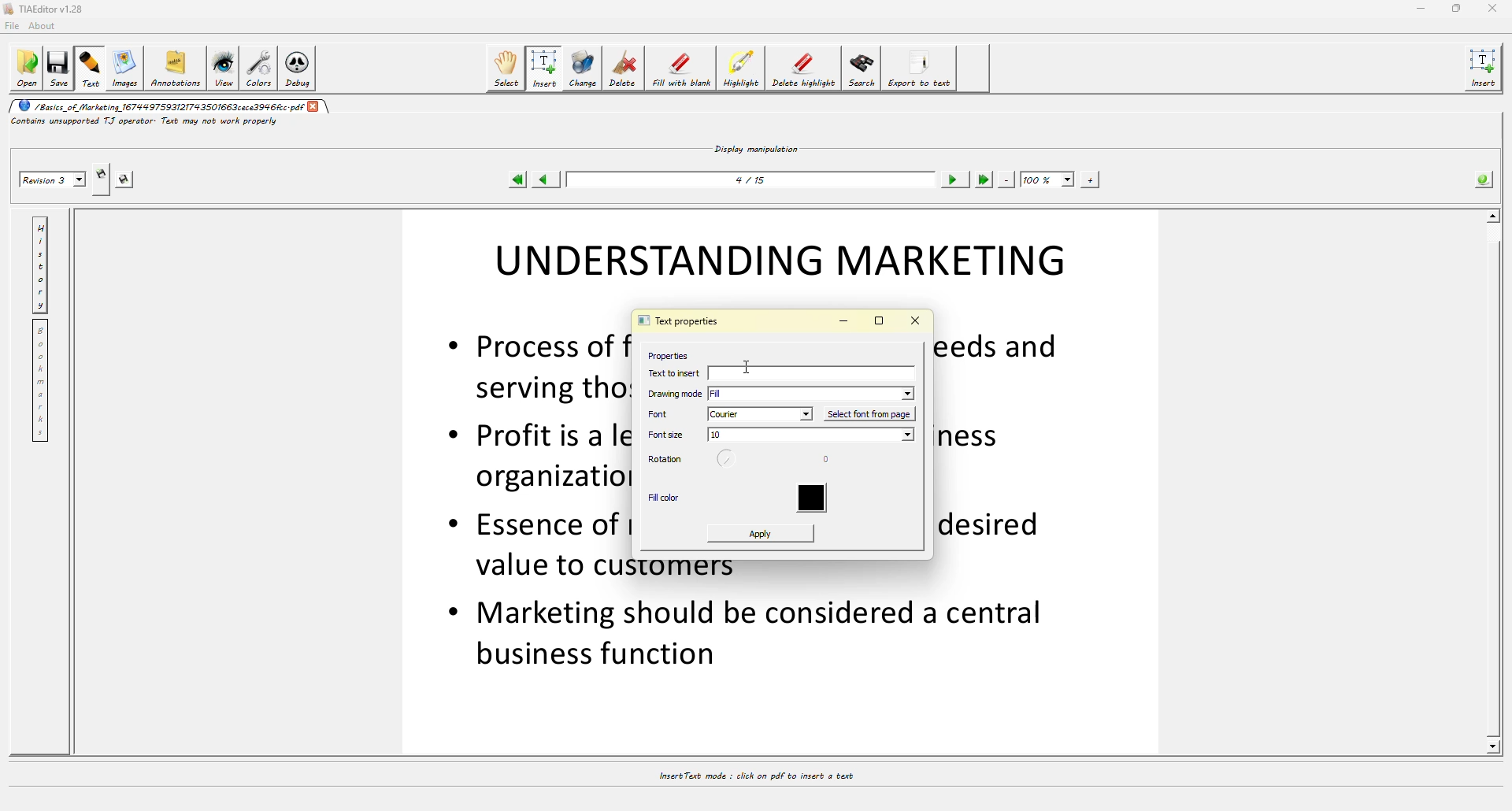 The height and width of the screenshot is (811, 1512). I want to click on drawing mode, so click(676, 394).